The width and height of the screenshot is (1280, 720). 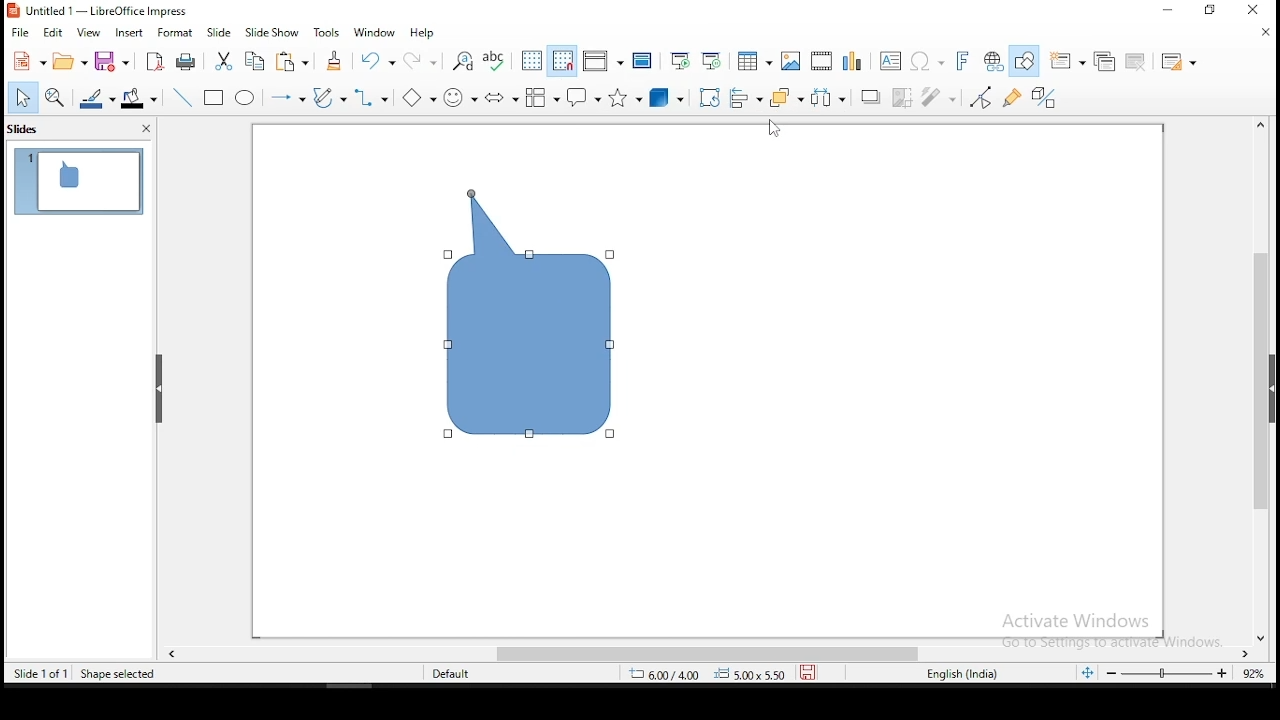 I want to click on charts, so click(x=854, y=60).